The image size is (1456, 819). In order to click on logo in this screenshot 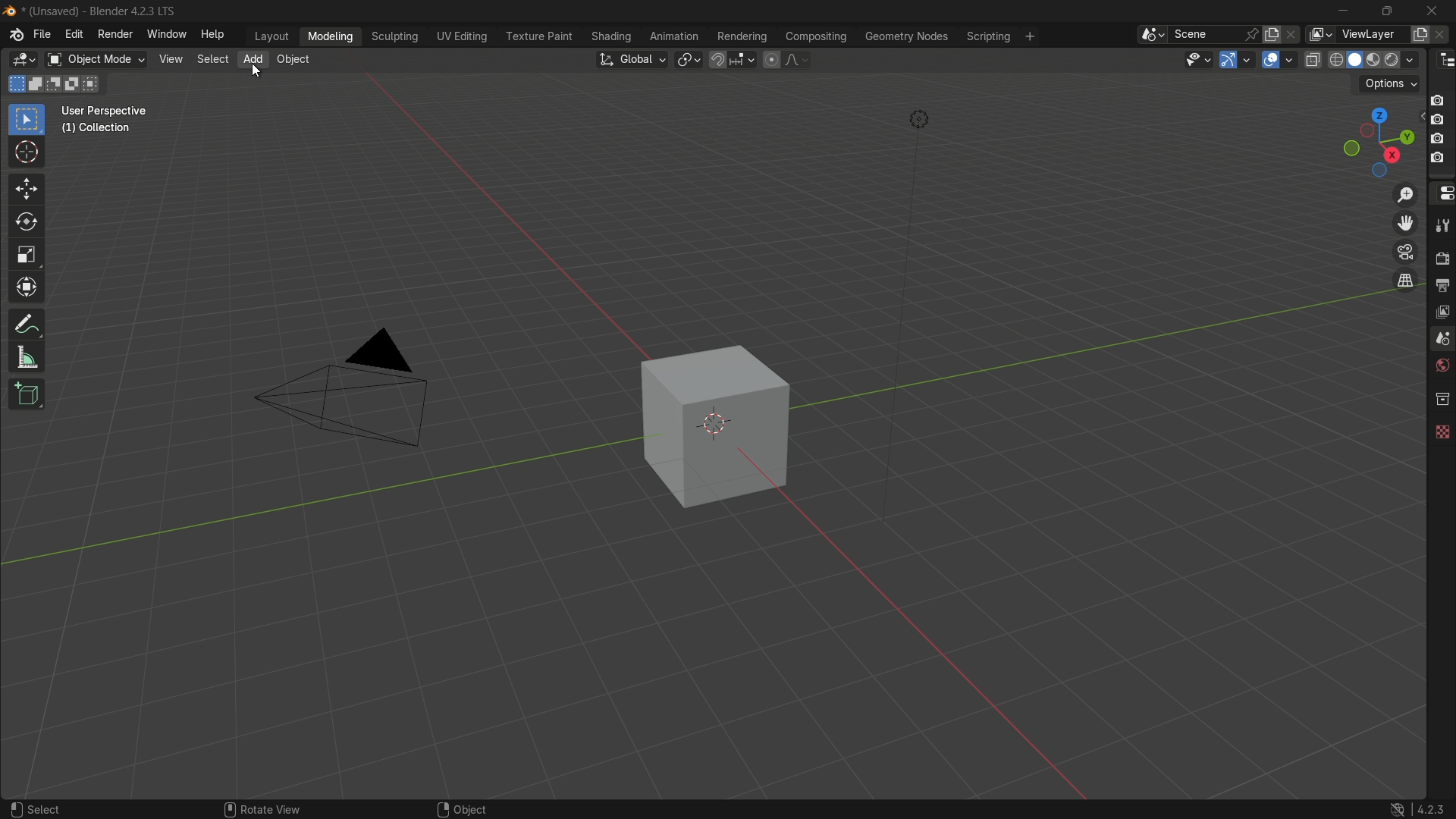, I will do `click(1397, 810)`.